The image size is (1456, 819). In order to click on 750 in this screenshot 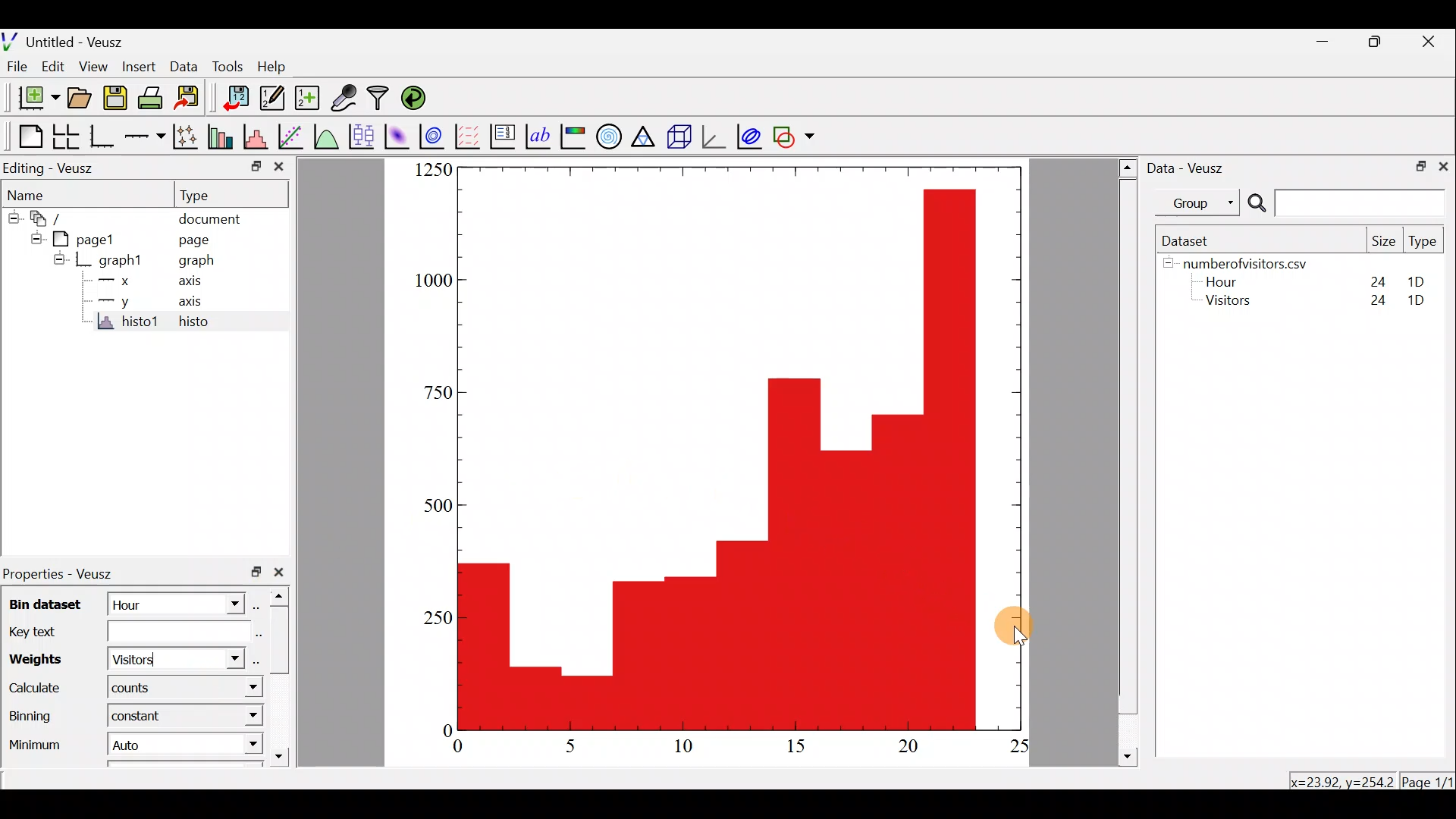, I will do `click(438, 392)`.